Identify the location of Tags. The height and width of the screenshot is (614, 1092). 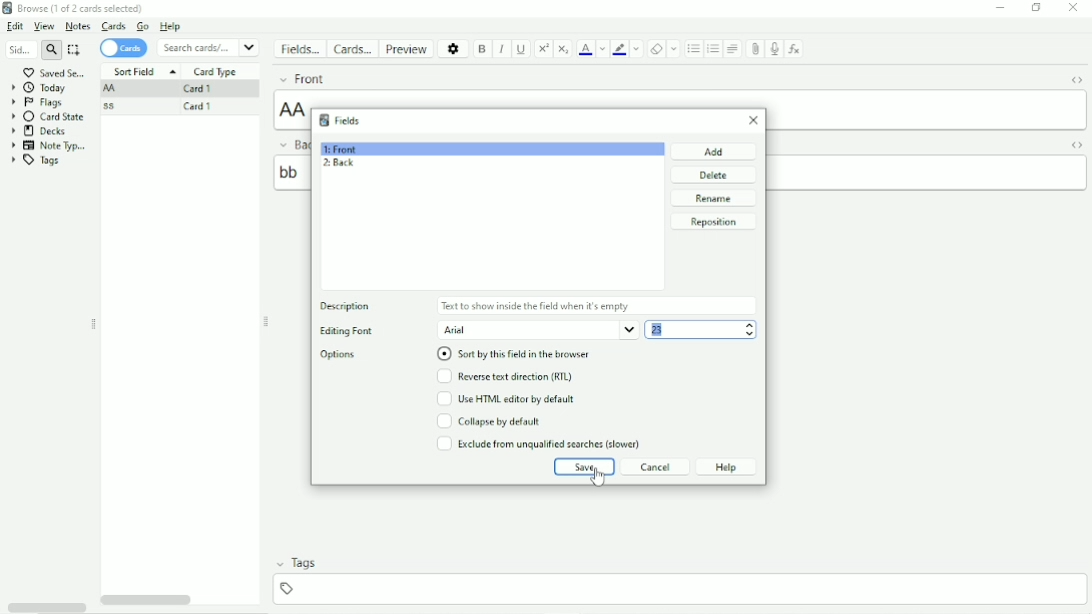
(305, 563).